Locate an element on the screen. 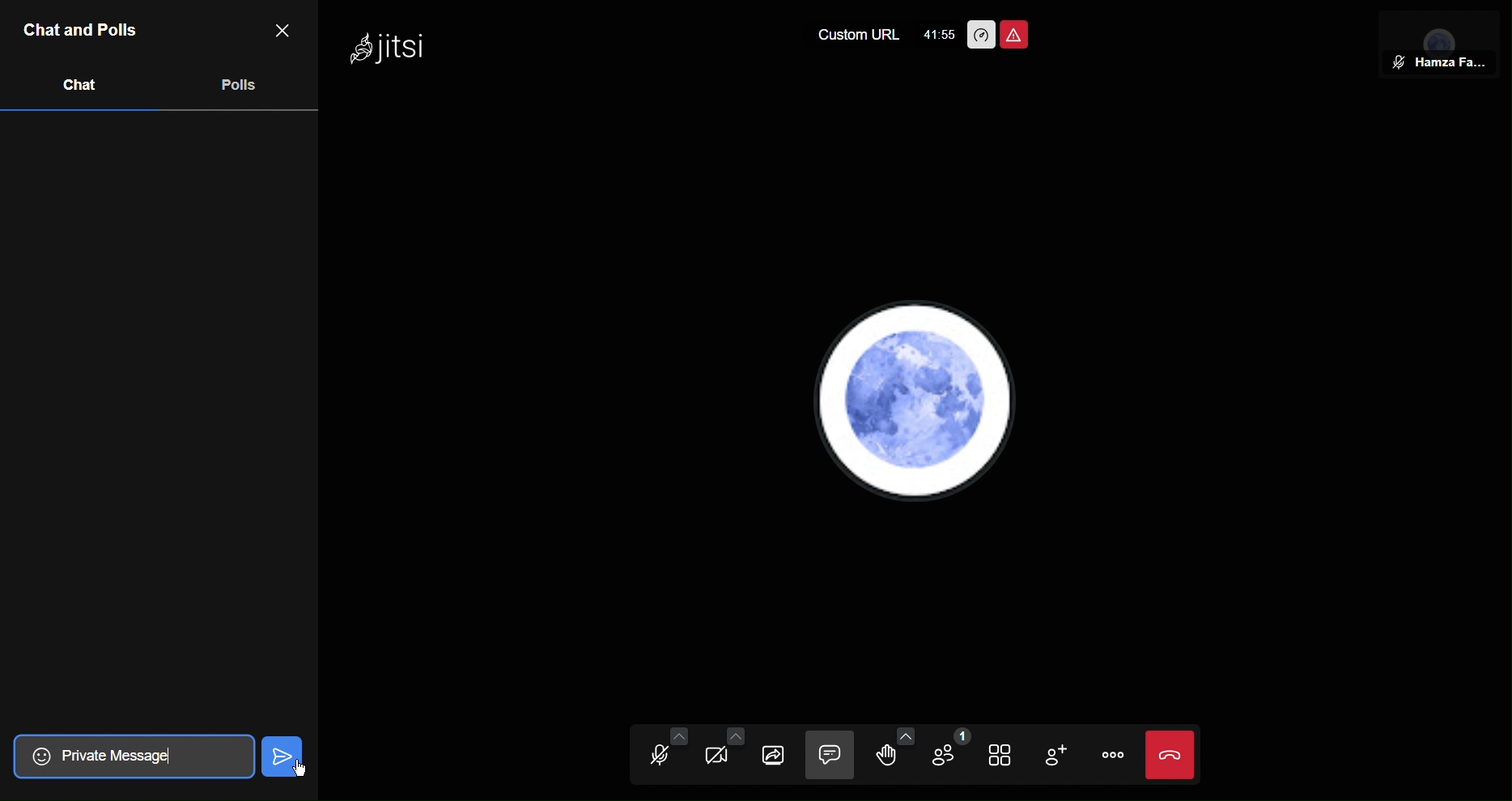 The image size is (1512, 801). Close is located at coordinates (284, 33).